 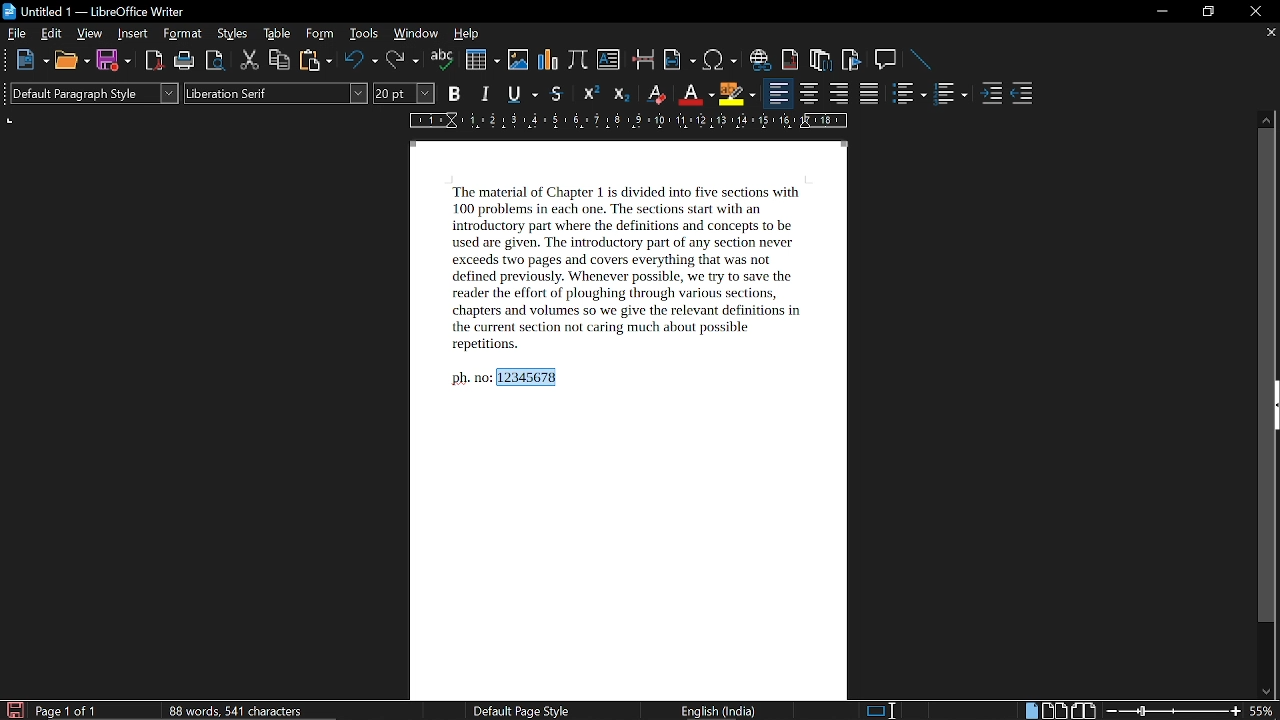 I want to click on Liberation Serif, so click(x=276, y=93).